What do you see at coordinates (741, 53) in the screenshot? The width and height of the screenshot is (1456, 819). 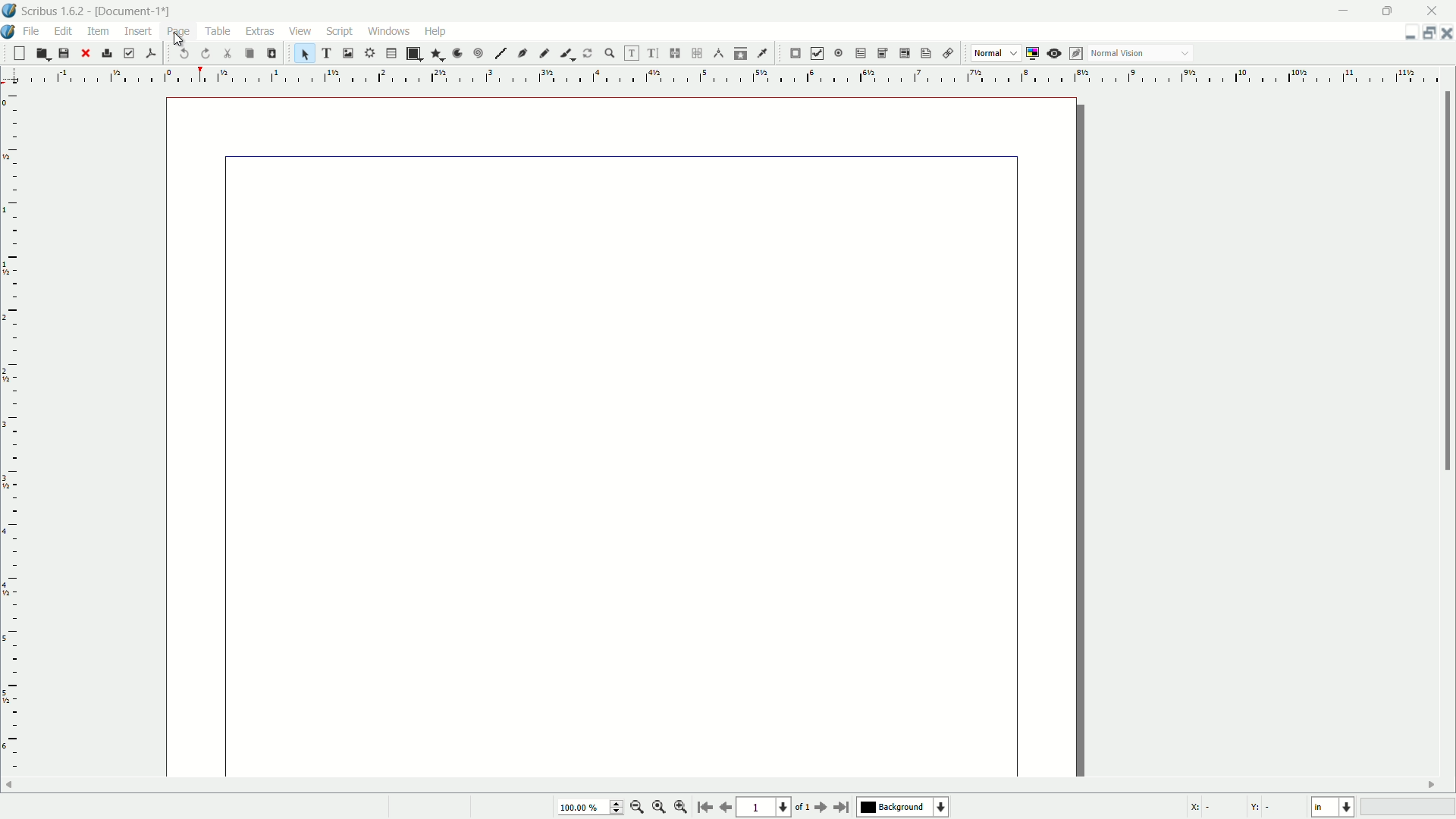 I see `copy item properties` at bounding box center [741, 53].